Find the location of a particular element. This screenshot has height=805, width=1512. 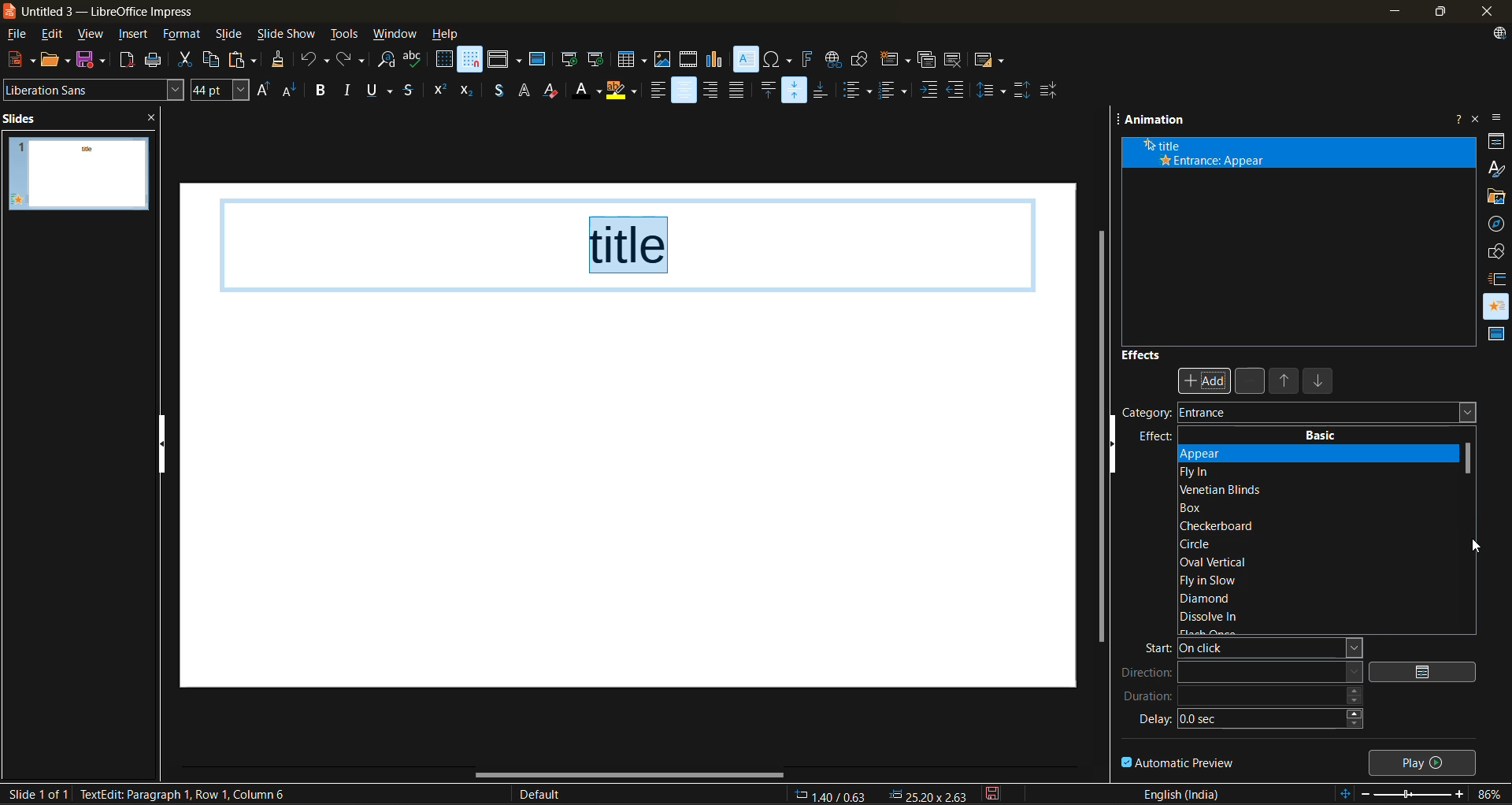

slide show is located at coordinates (287, 35).